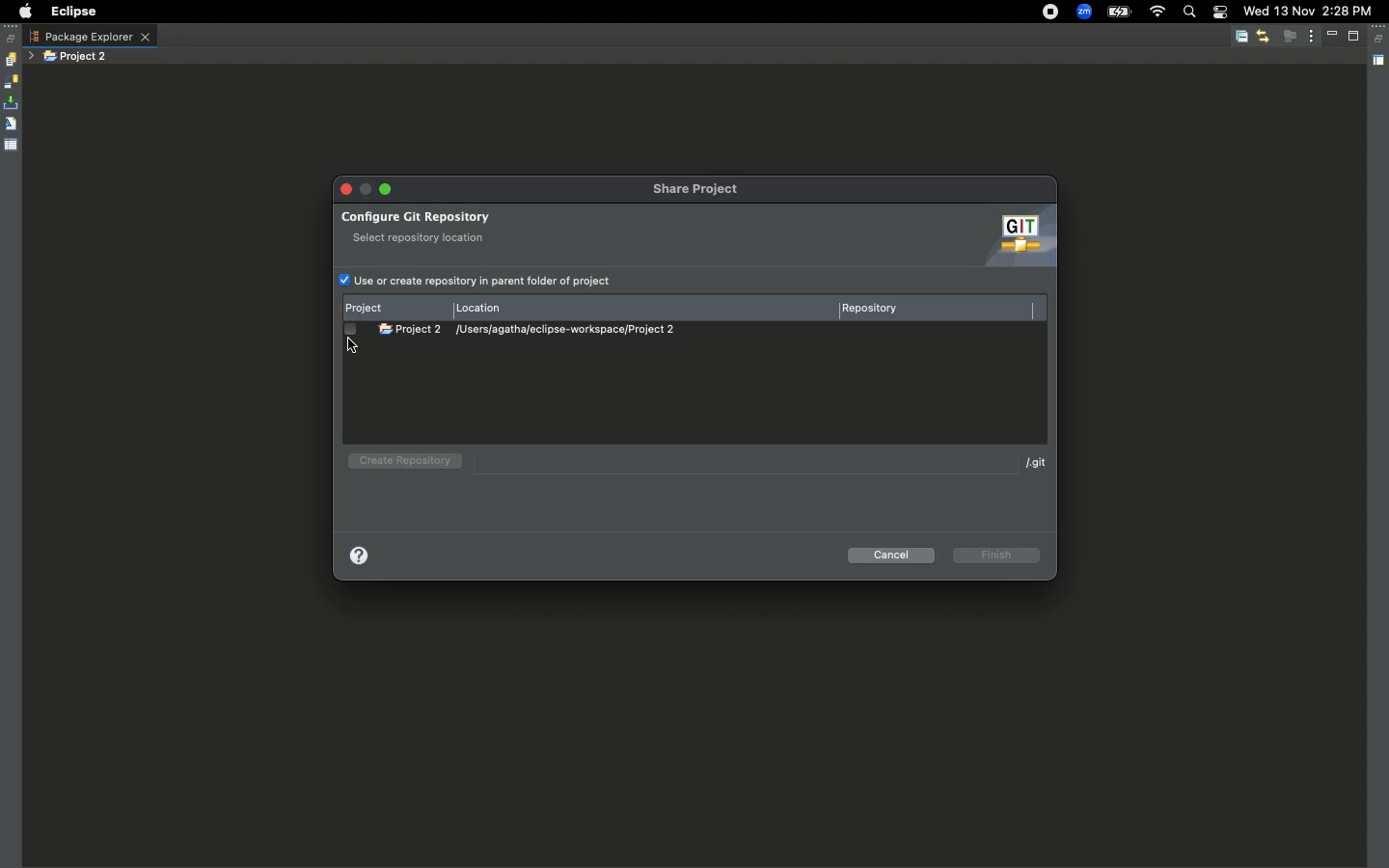 The image size is (1389, 868). I want to click on Use or create repository in parent folder of project, so click(476, 282).